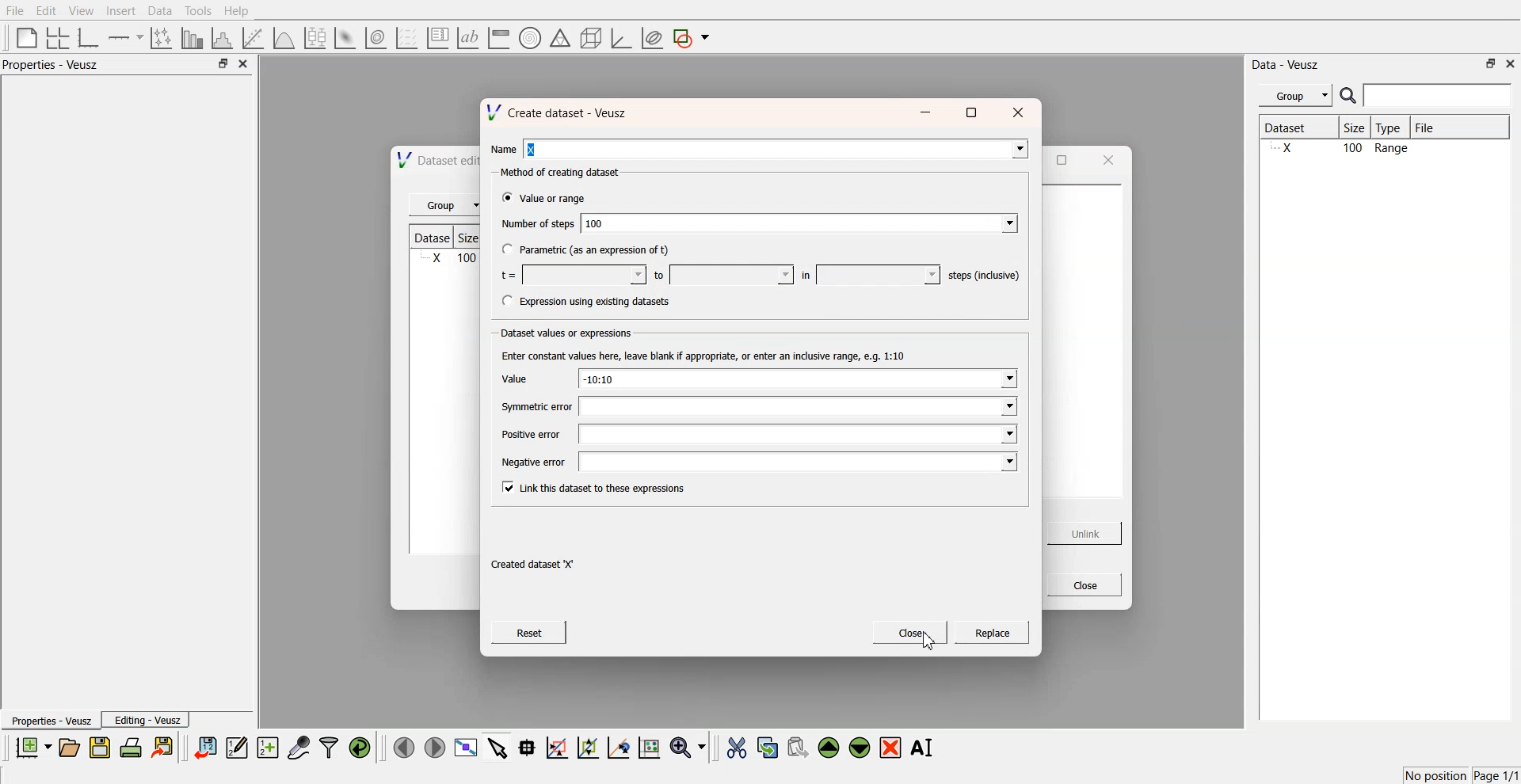 This screenshot has width=1521, height=784. I want to click on image color bar, so click(498, 39).